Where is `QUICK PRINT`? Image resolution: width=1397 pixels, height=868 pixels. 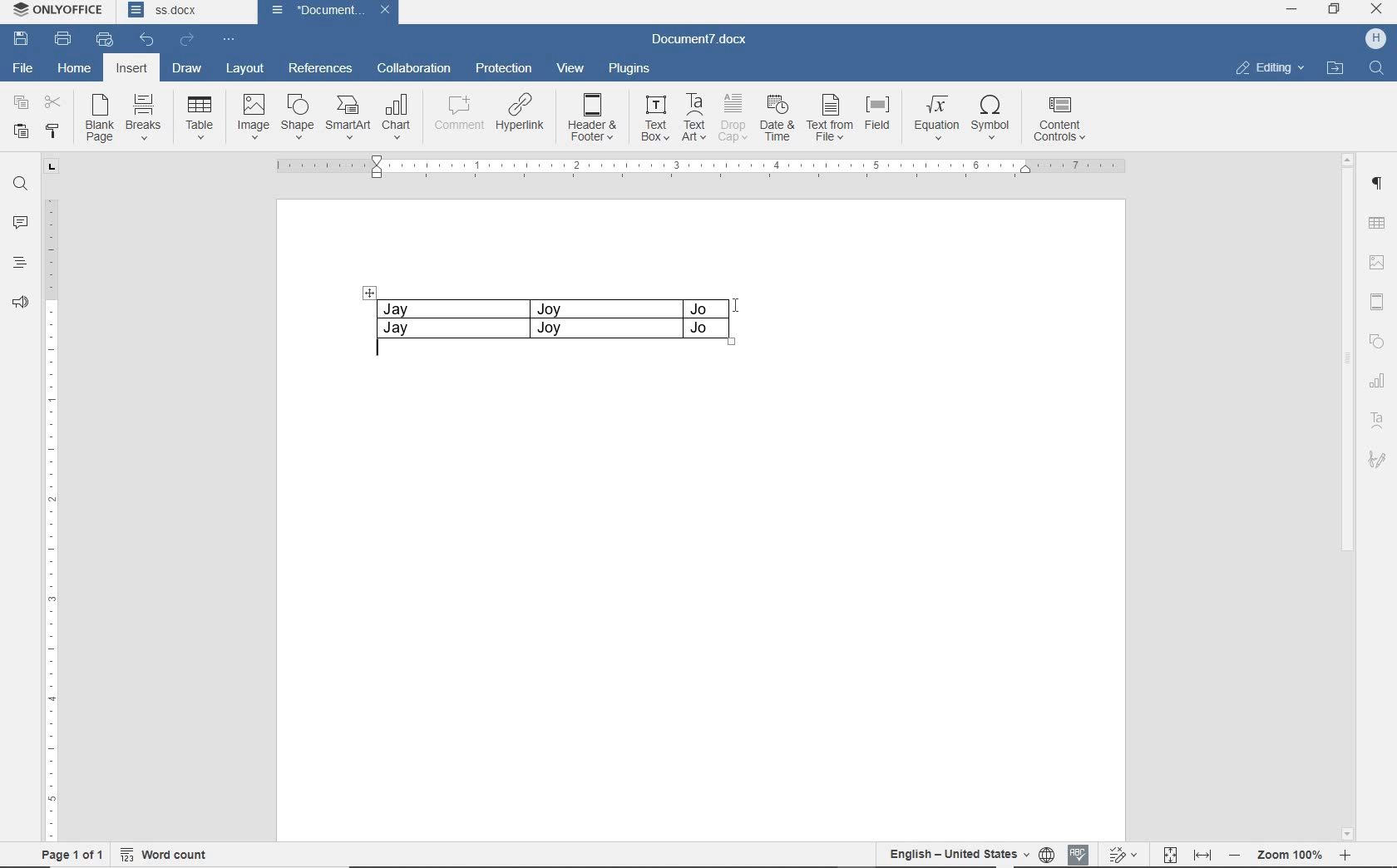 QUICK PRINT is located at coordinates (105, 40).